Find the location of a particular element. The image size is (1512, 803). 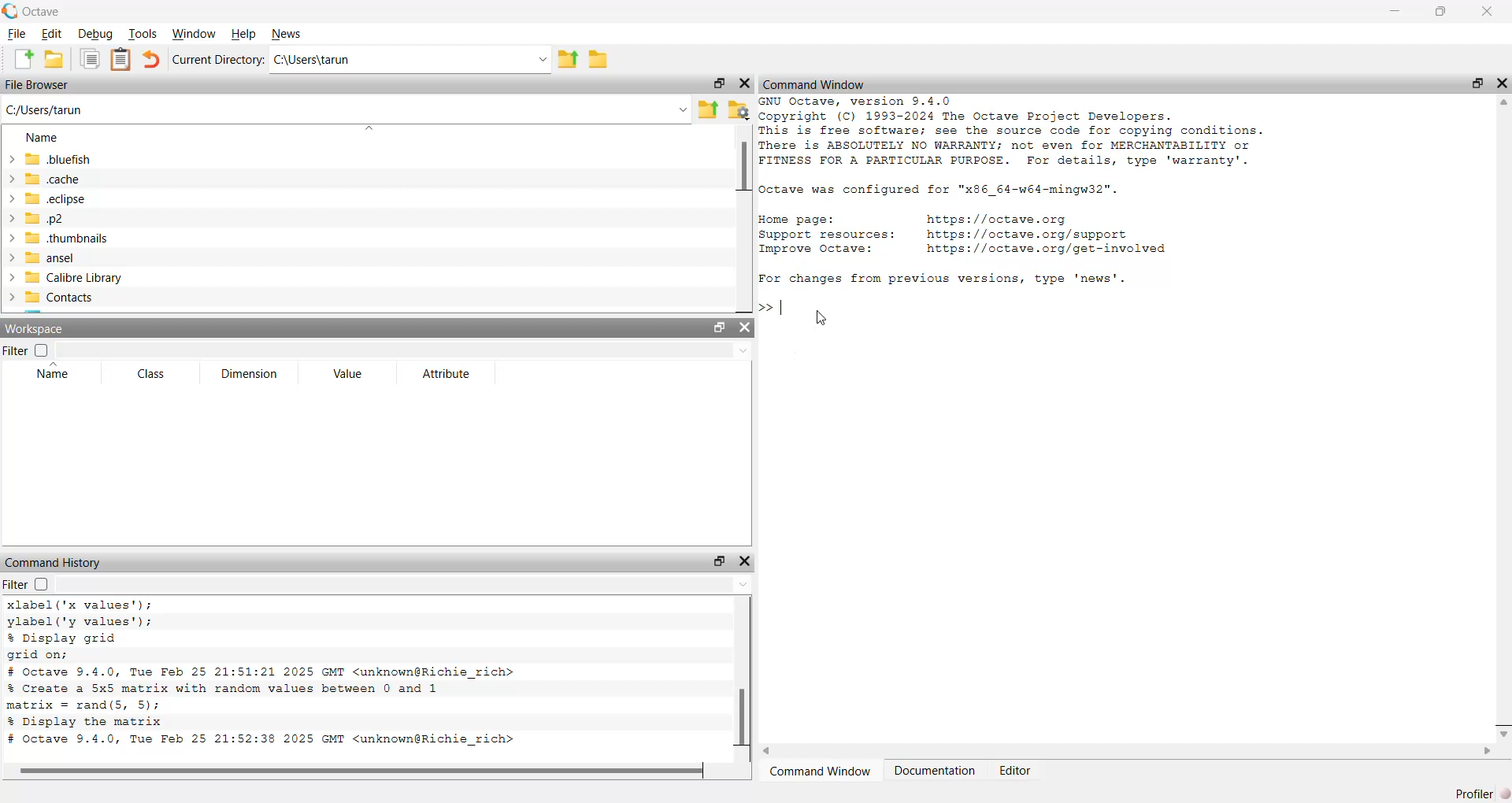

close is located at coordinates (1492, 12).